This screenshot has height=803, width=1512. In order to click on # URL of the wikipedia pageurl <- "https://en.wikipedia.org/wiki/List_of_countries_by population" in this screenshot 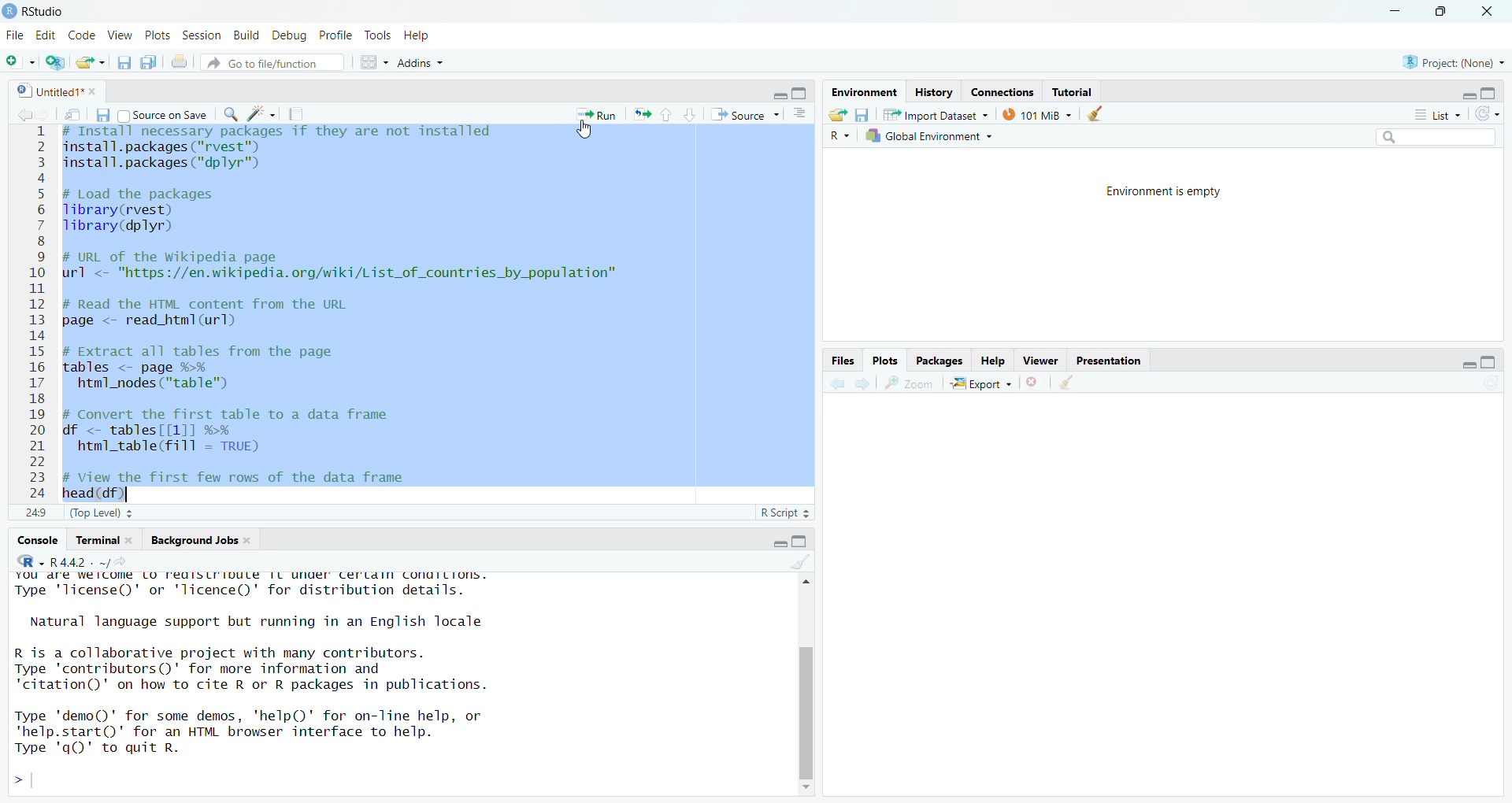, I will do `click(343, 268)`.